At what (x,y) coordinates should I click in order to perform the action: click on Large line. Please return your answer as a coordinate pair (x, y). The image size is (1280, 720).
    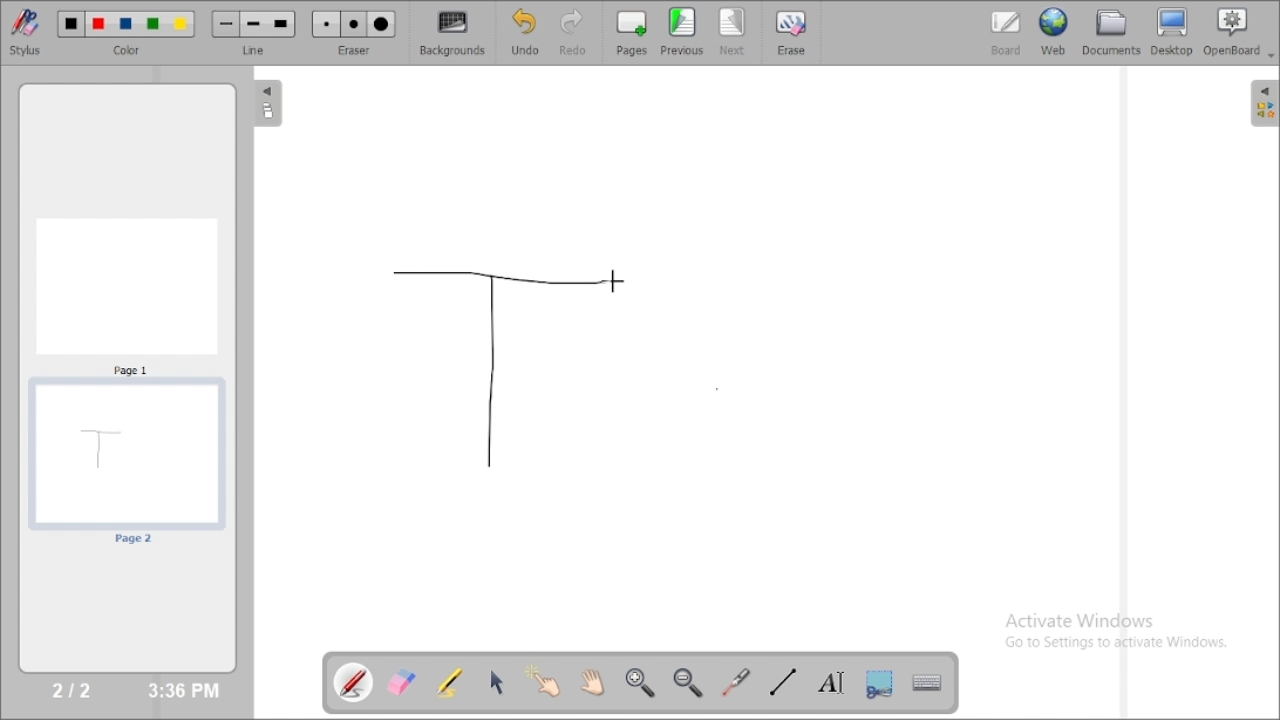
    Looking at the image, I should click on (282, 25).